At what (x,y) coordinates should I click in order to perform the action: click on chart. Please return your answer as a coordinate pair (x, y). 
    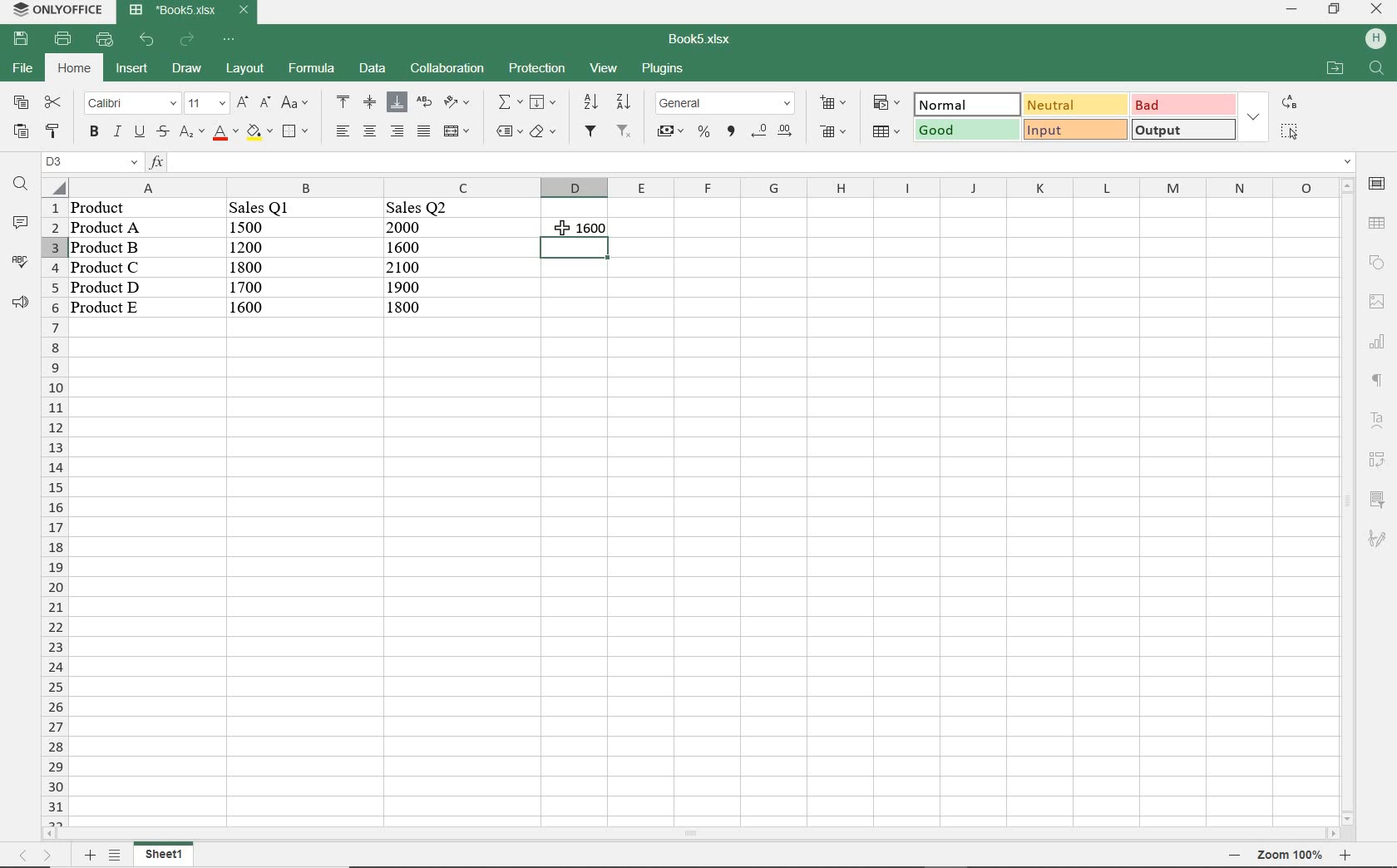
    Looking at the image, I should click on (1377, 341).